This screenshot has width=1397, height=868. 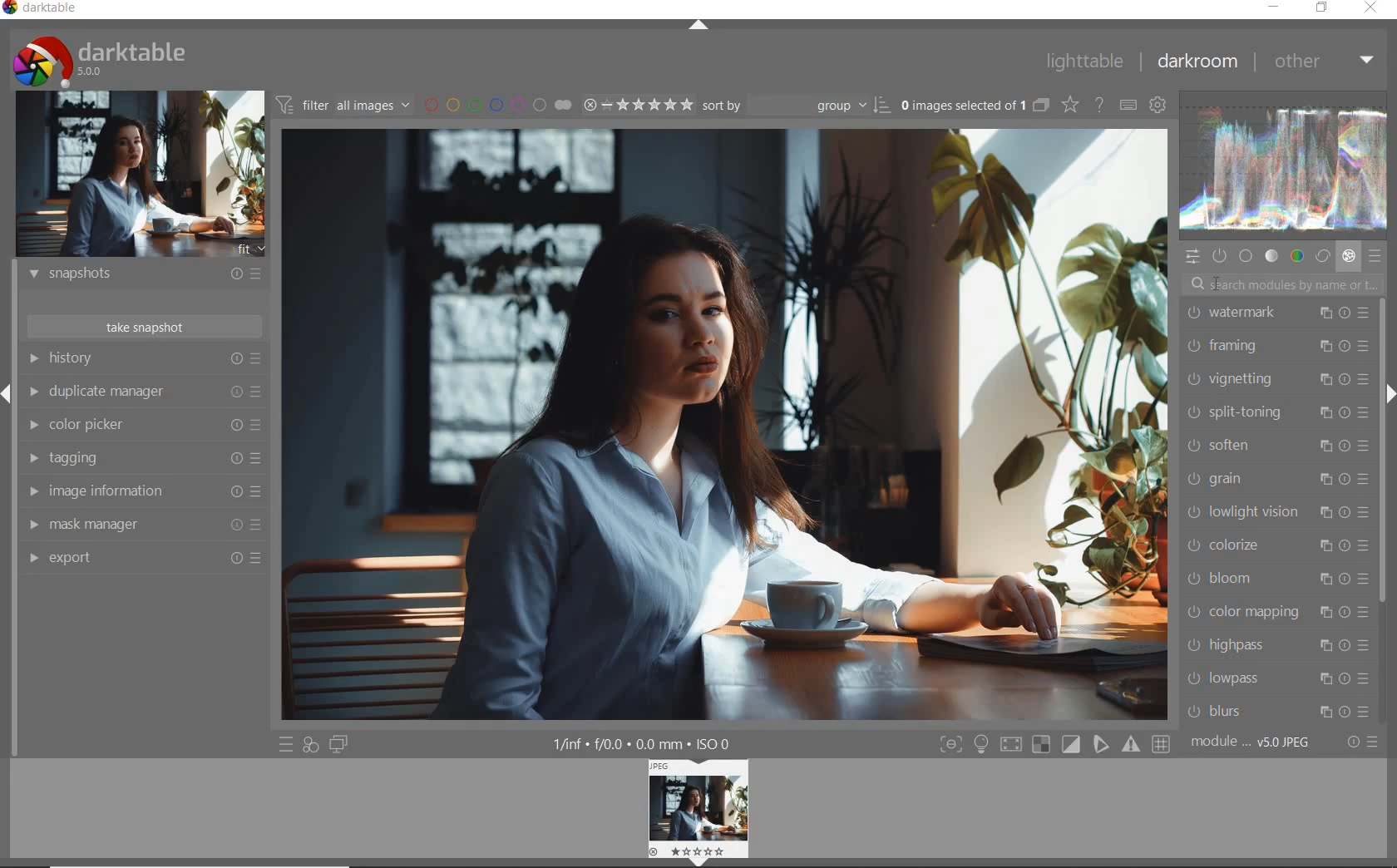 I want to click on history, so click(x=142, y=358).